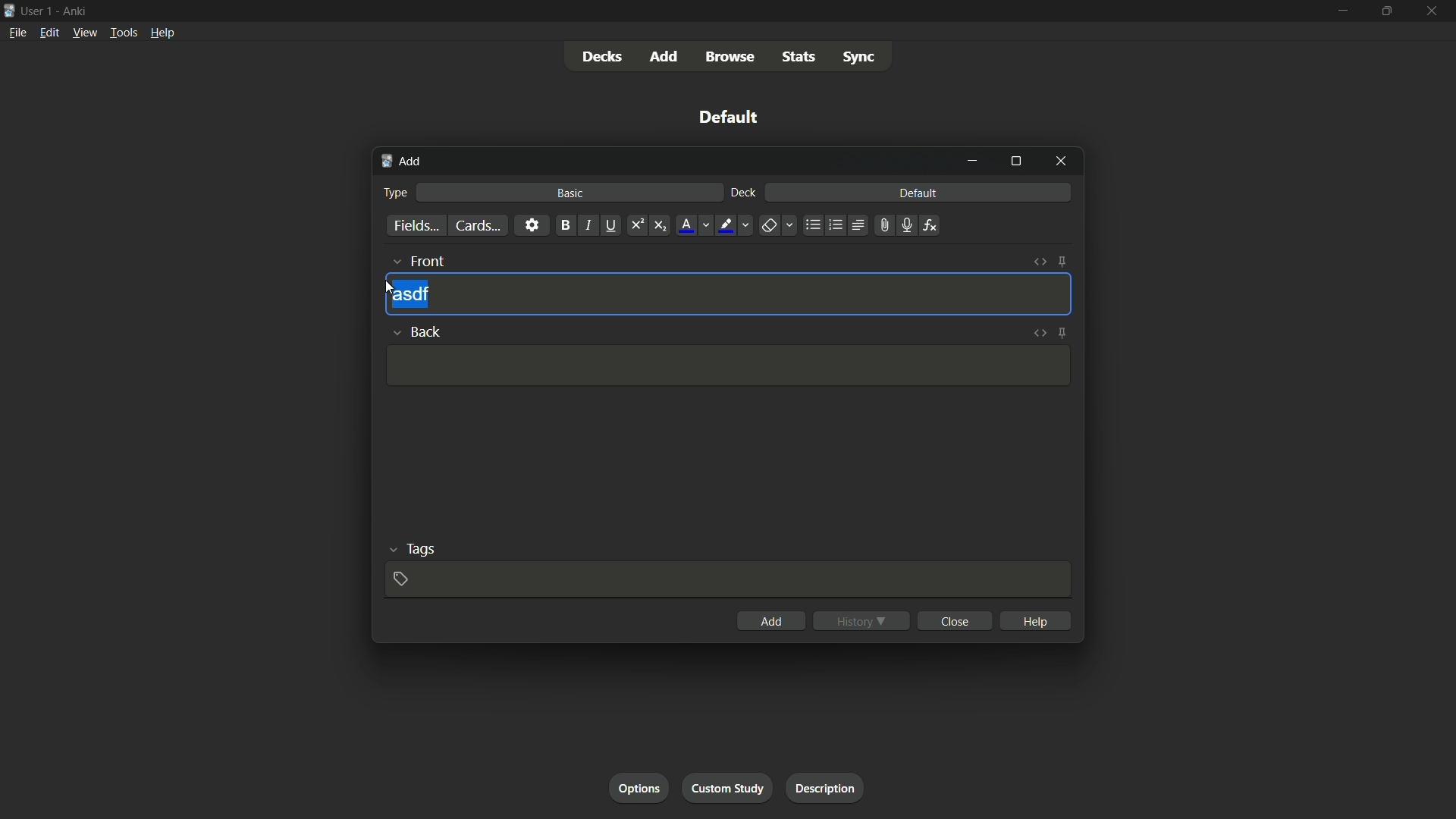  Describe the element at coordinates (411, 295) in the screenshot. I see `asdf` at that location.